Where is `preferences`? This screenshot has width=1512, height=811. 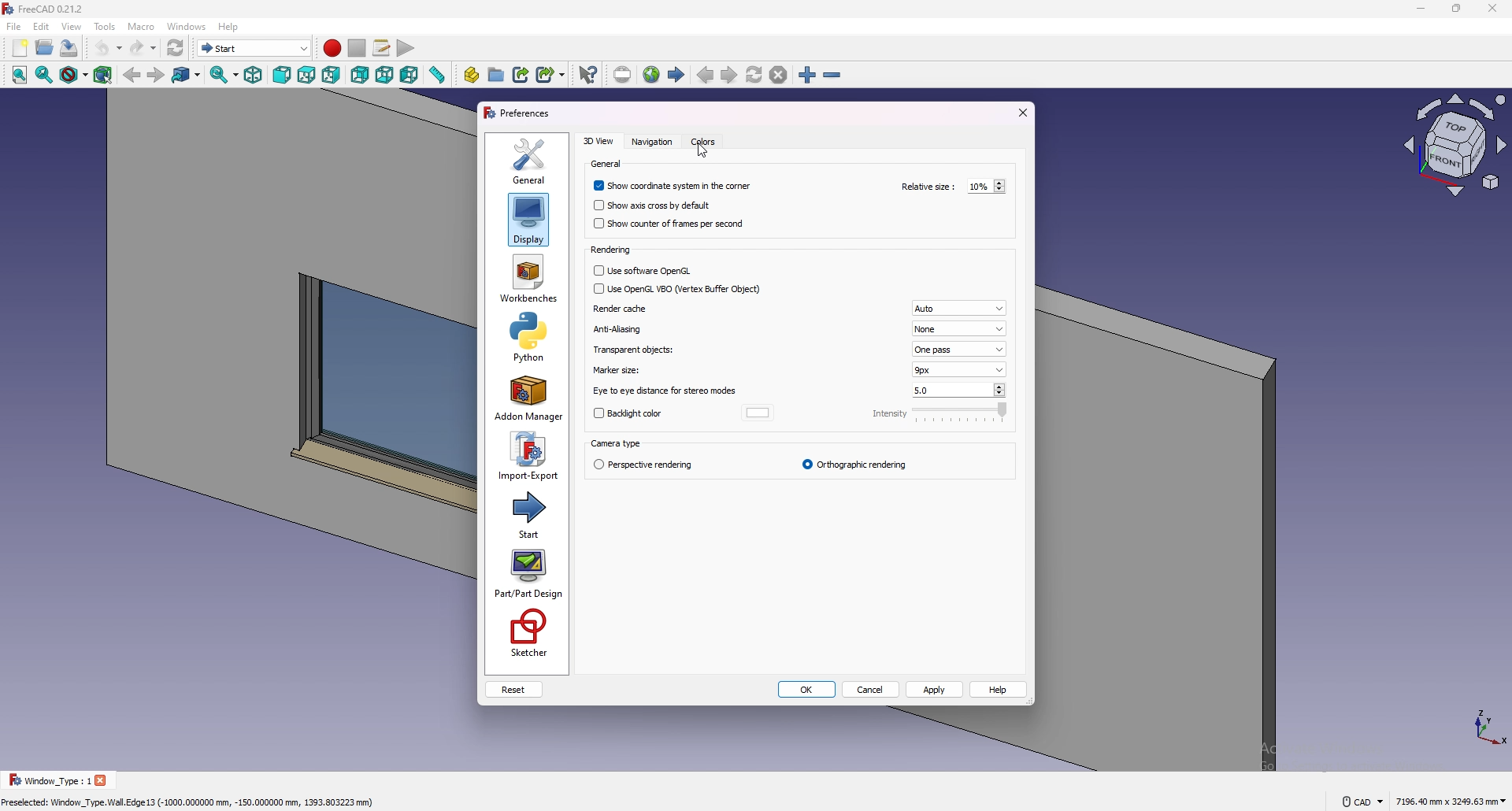 preferences is located at coordinates (518, 113).